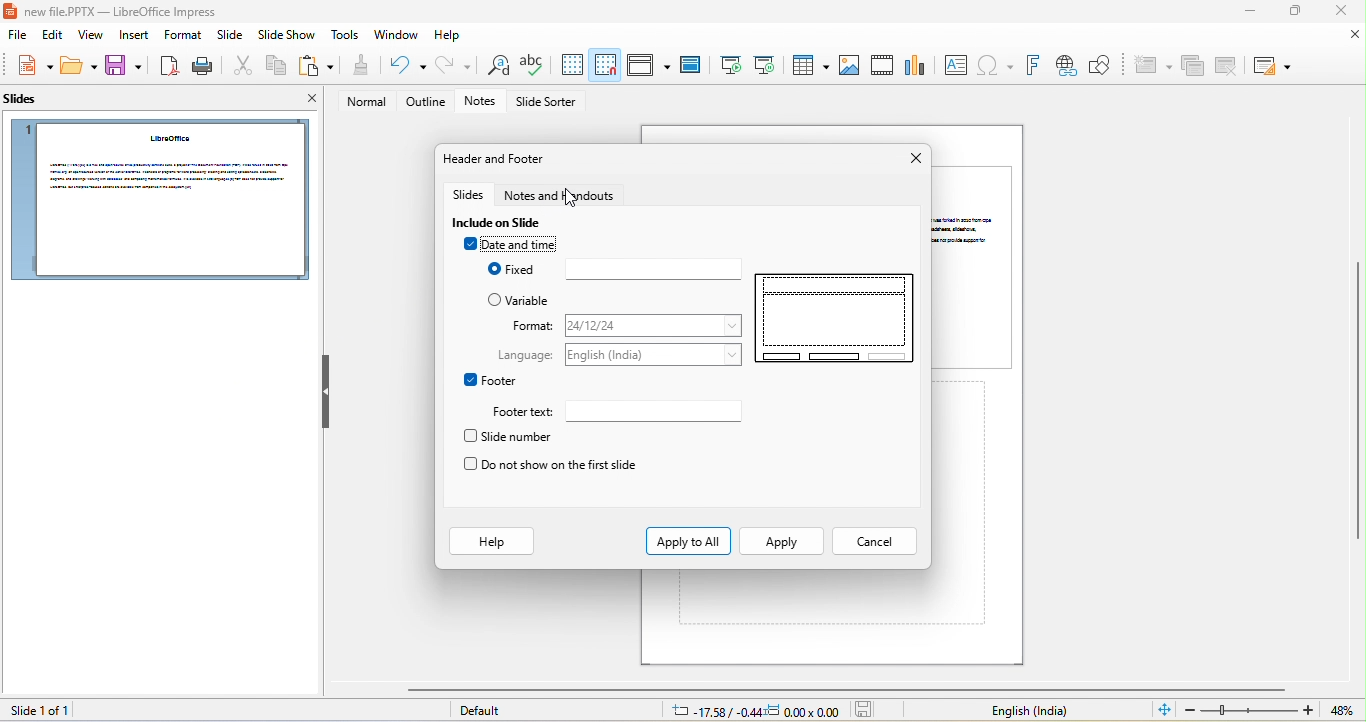  Describe the element at coordinates (917, 63) in the screenshot. I see `chart` at that location.